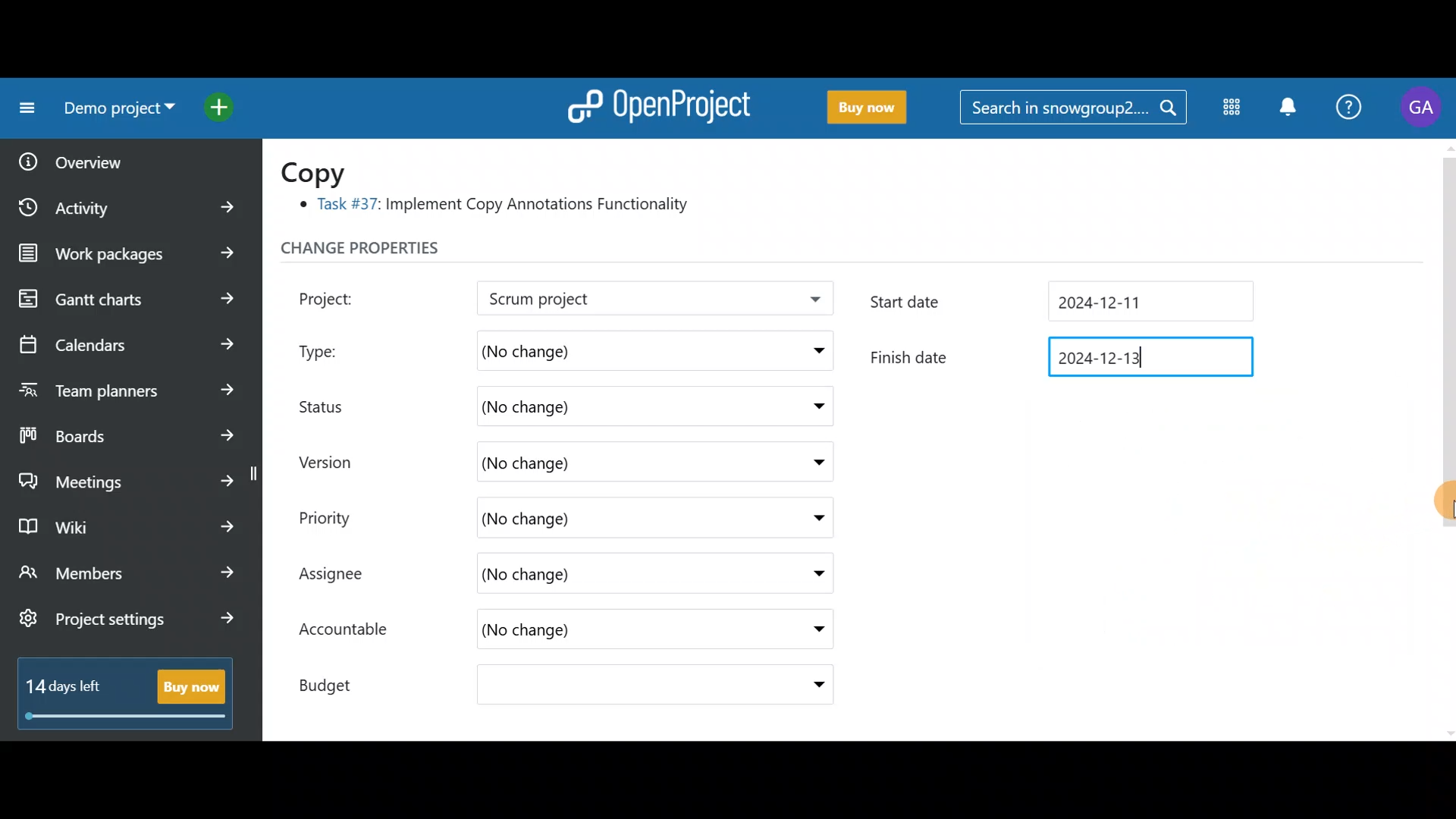 This screenshot has height=819, width=1456. I want to click on Overview, so click(115, 157).